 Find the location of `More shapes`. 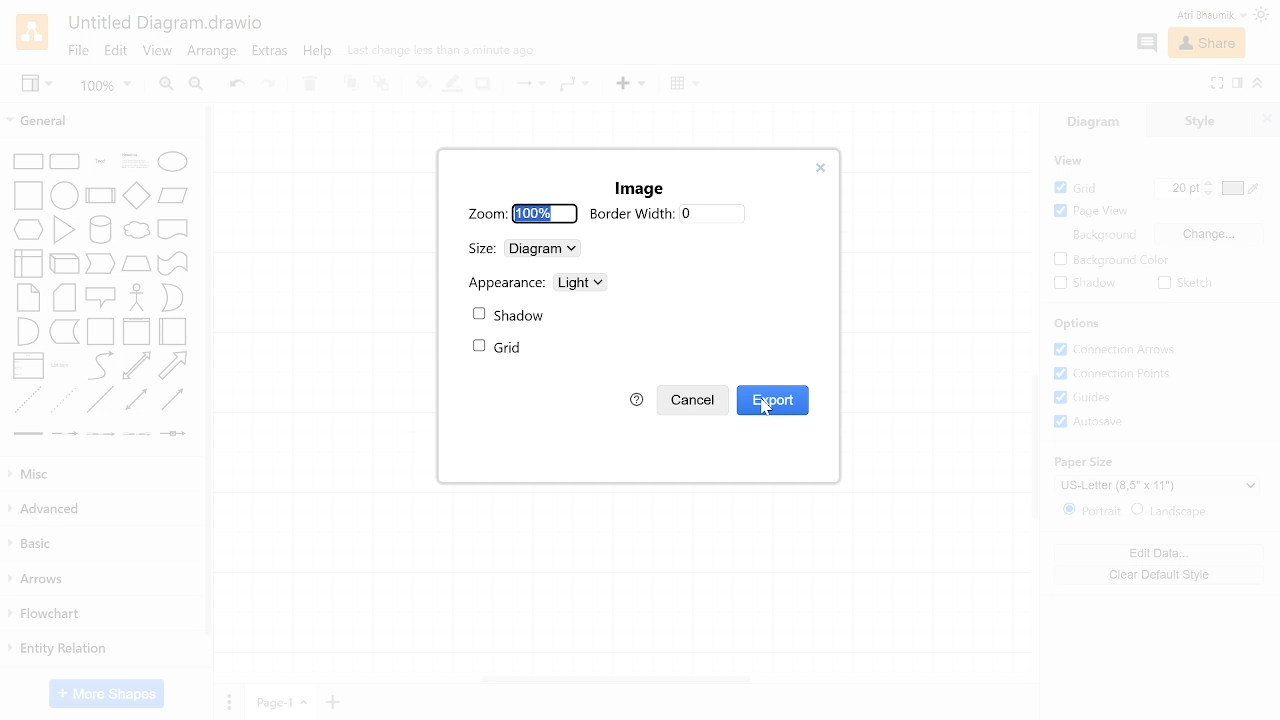

More shapes is located at coordinates (108, 692).